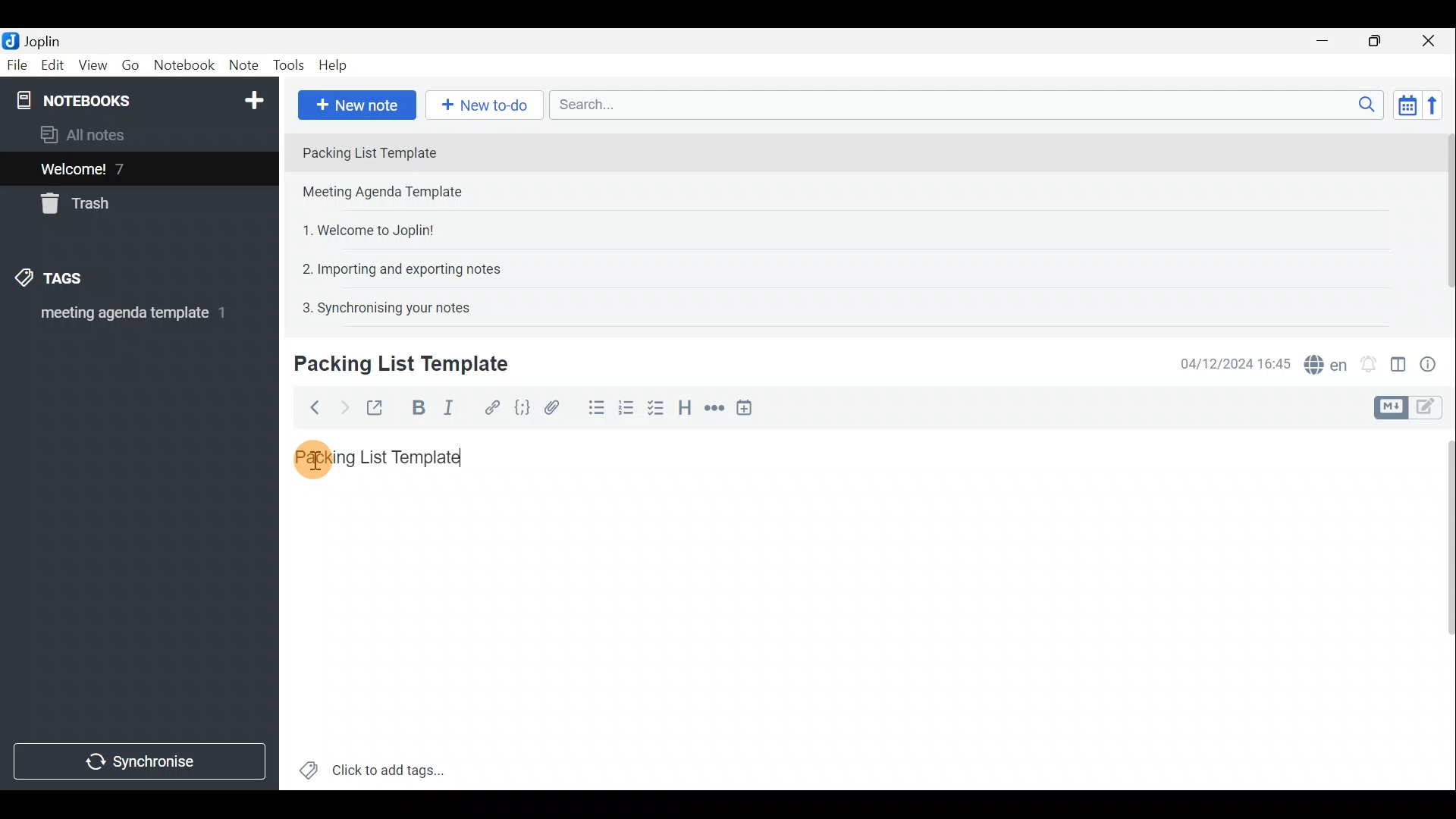  Describe the element at coordinates (341, 406) in the screenshot. I see `Forward` at that location.